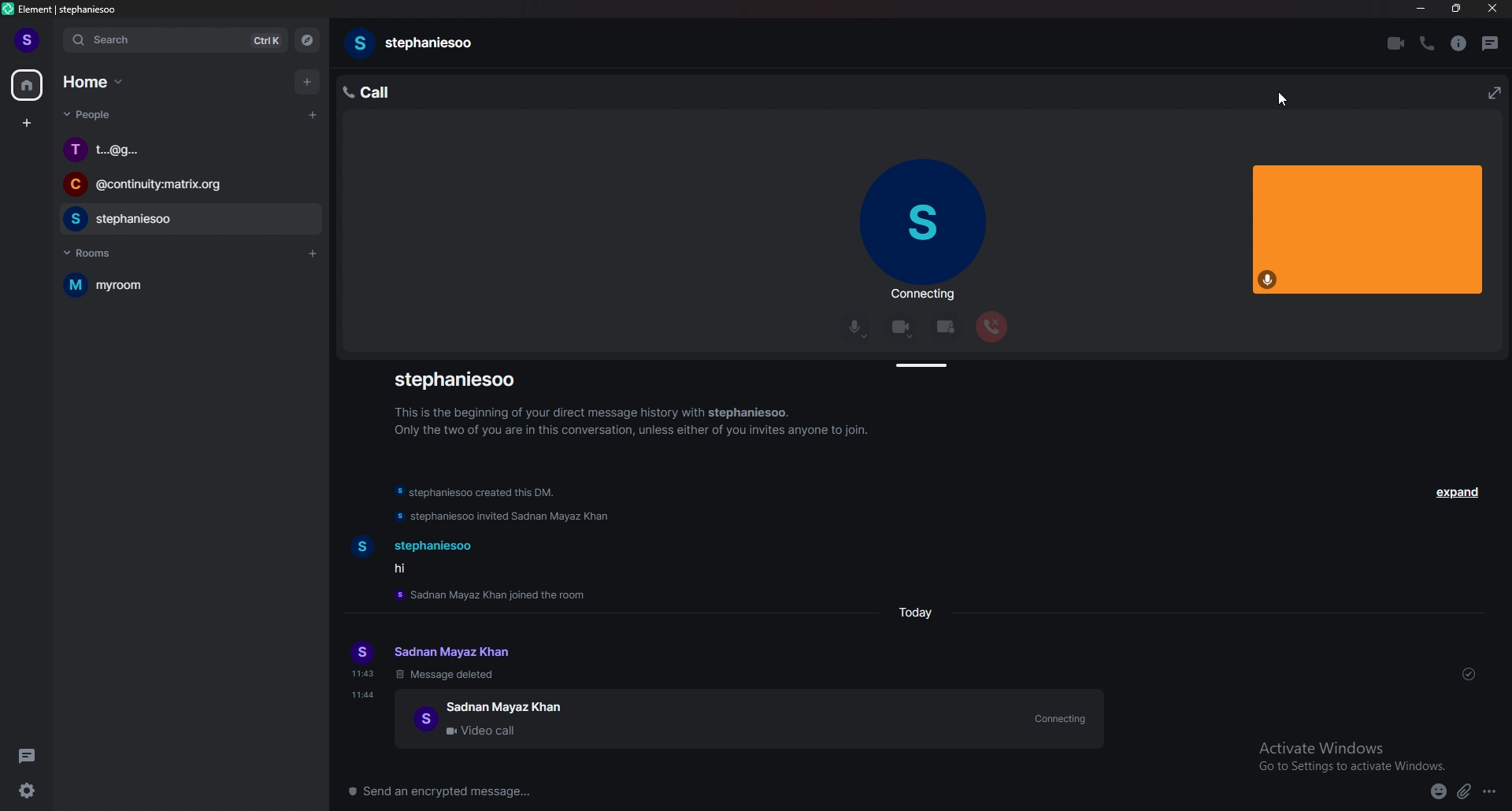 The height and width of the screenshot is (811, 1512). I want to click on options, so click(1497, 794).